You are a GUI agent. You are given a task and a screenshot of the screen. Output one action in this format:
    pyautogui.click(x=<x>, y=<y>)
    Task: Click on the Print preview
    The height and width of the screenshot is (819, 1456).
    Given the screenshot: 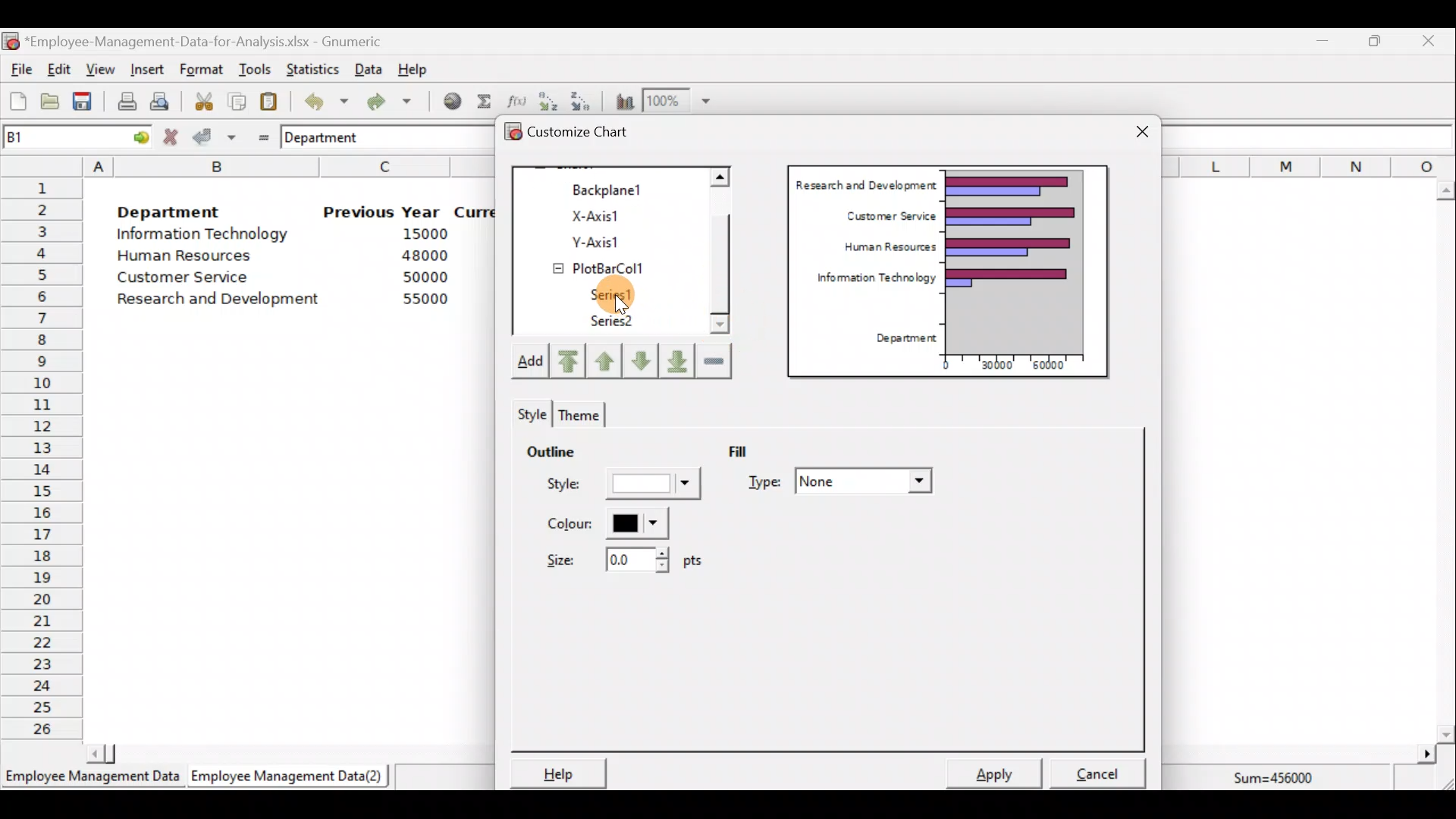 What is the action you would take?
    pyautogui.click(x=159, y=99)
    